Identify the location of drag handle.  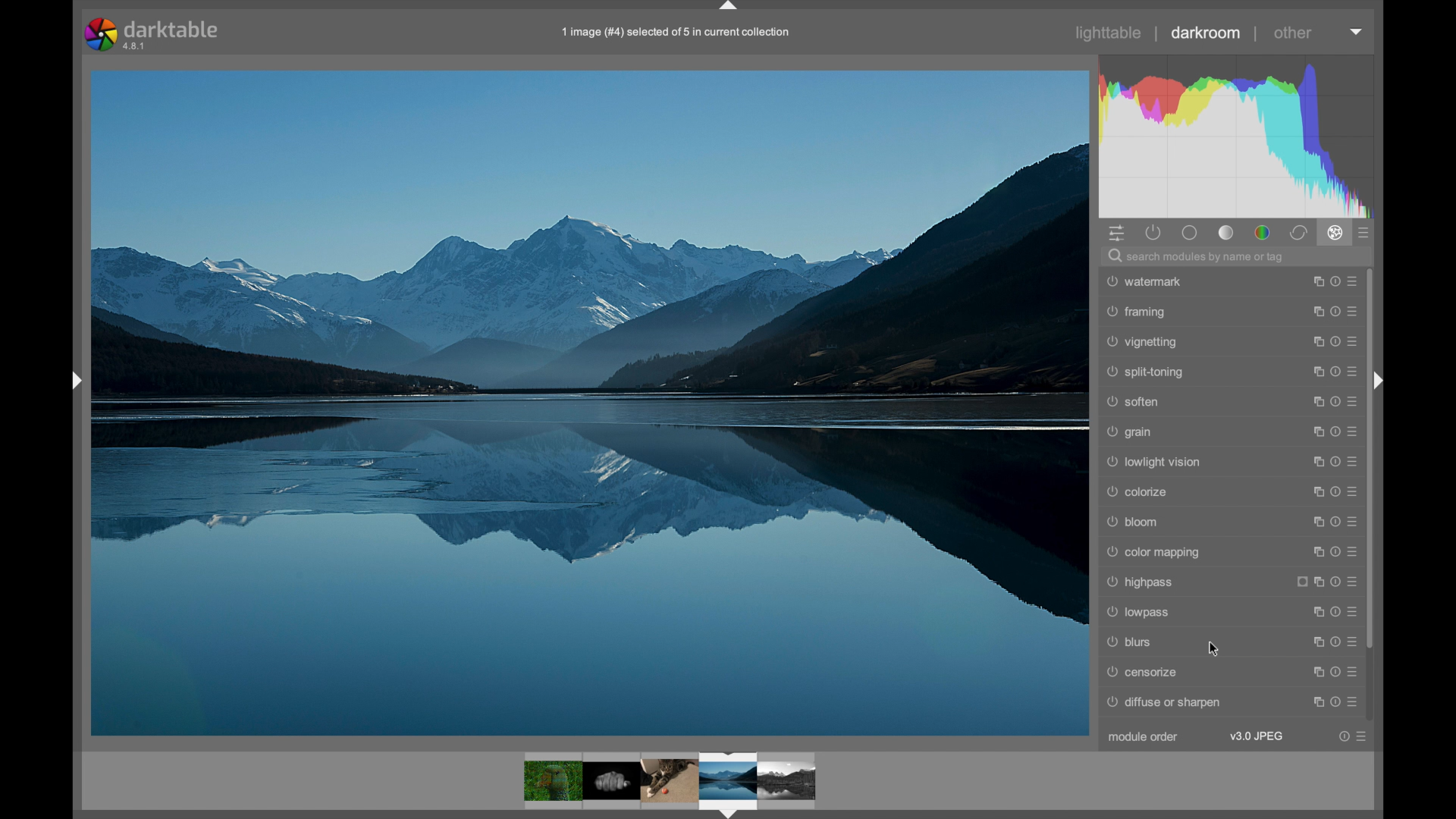
(1379, 379).